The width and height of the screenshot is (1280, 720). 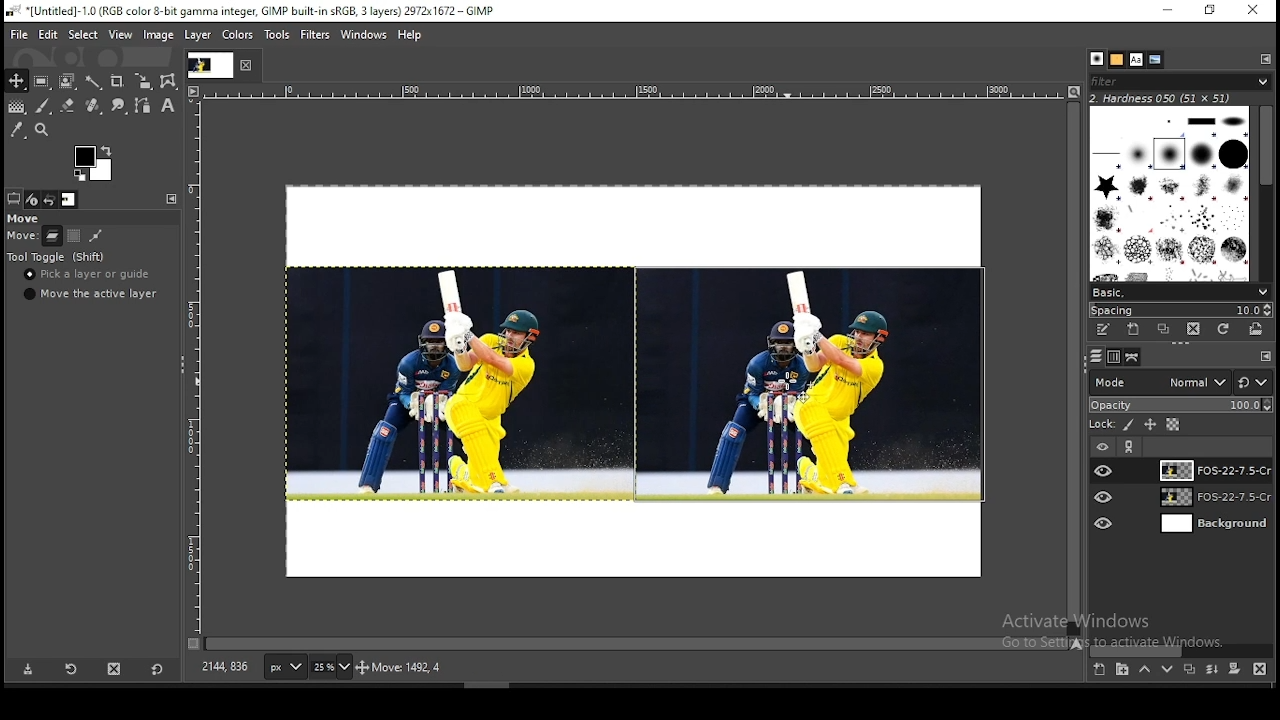 I want to click on new layer , so click(x=1098, y=671).